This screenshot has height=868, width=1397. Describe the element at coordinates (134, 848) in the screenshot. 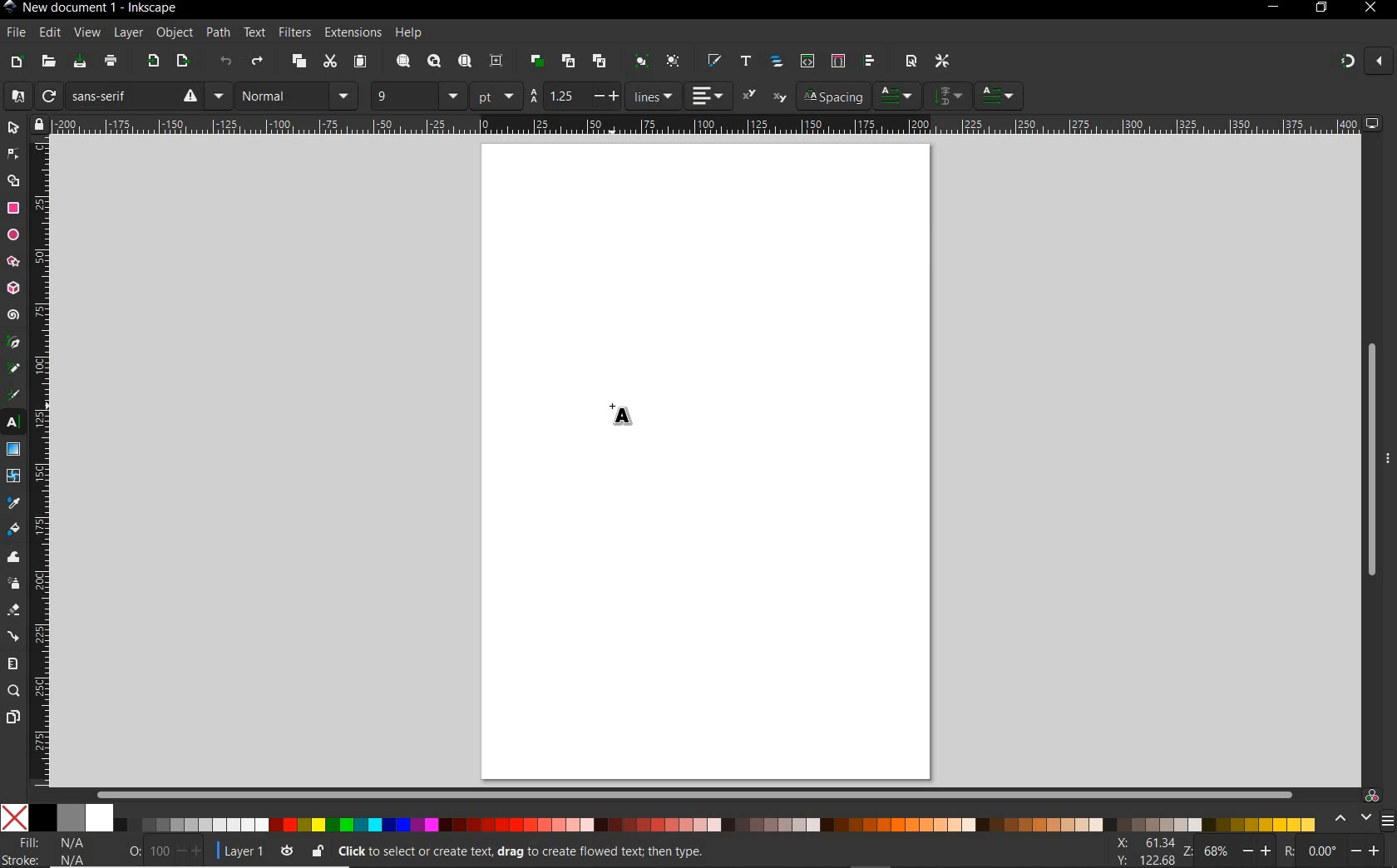

I see `0` at that location.